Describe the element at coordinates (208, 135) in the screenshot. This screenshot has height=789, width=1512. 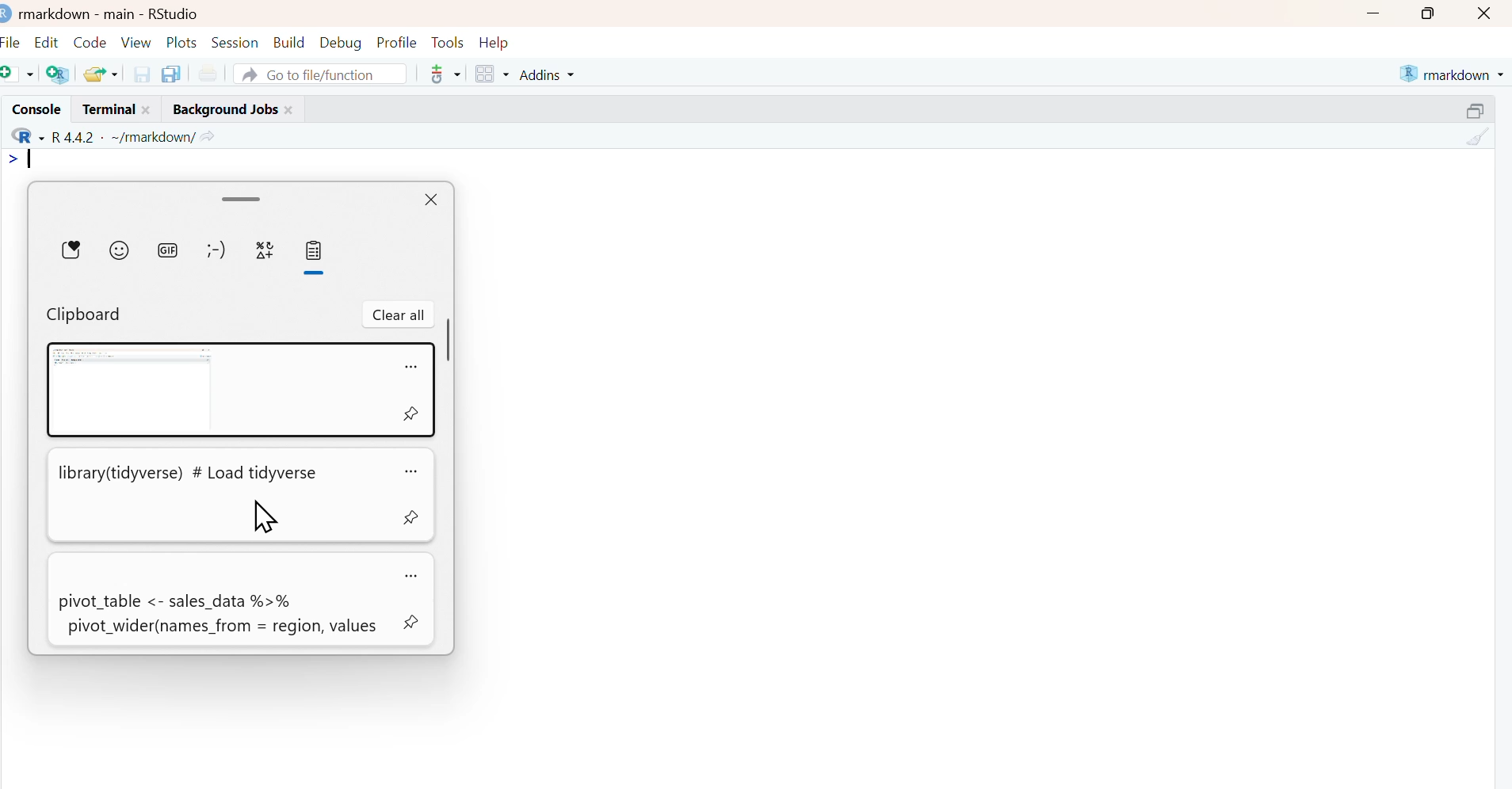
I see `view current working directory` at that location.